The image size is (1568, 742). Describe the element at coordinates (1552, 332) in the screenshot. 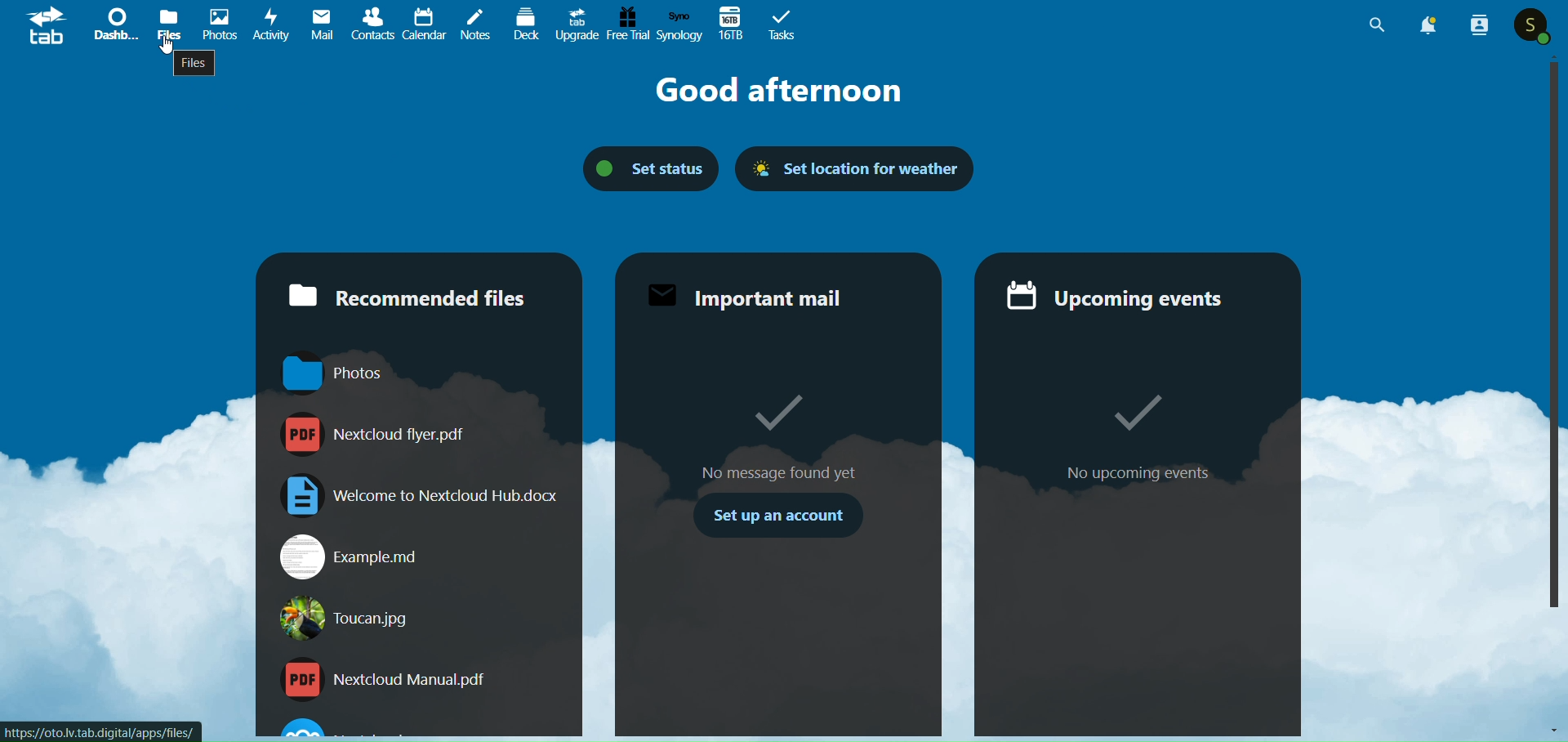

I see `Vertical slide bar` at that location.